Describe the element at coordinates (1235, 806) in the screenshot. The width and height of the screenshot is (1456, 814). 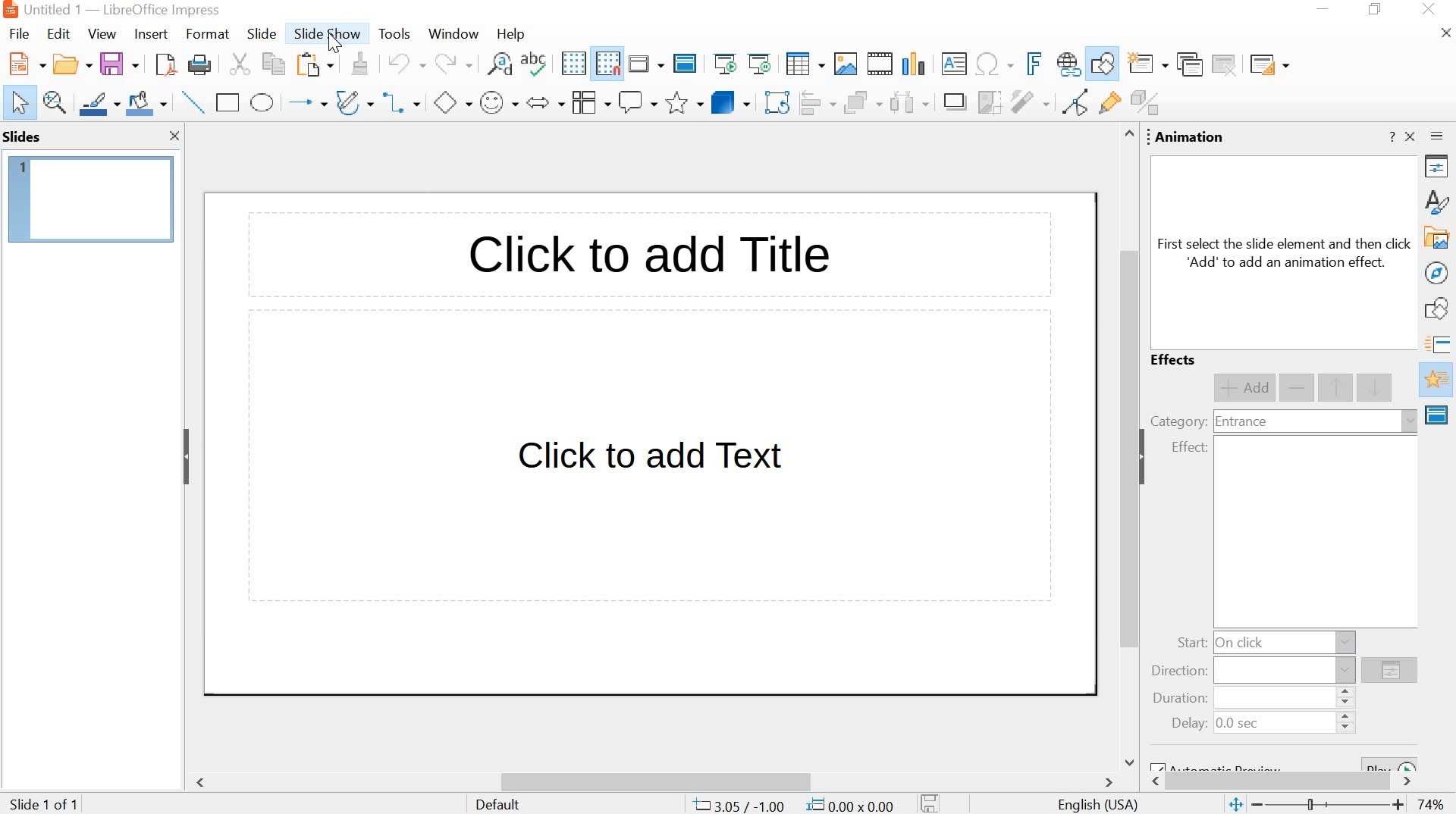
I see `fit slide to current view` at that location.